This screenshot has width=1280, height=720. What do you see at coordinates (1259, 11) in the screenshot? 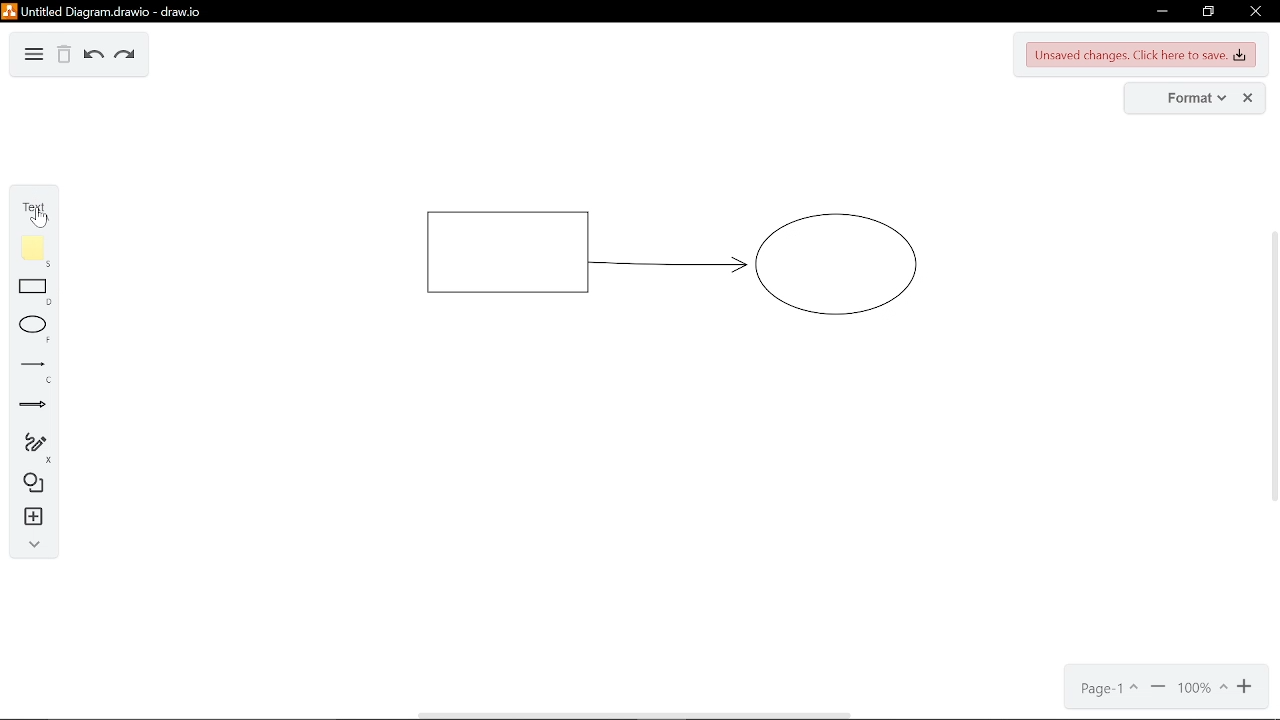
I see `close` at bounding box center [1259, 11].